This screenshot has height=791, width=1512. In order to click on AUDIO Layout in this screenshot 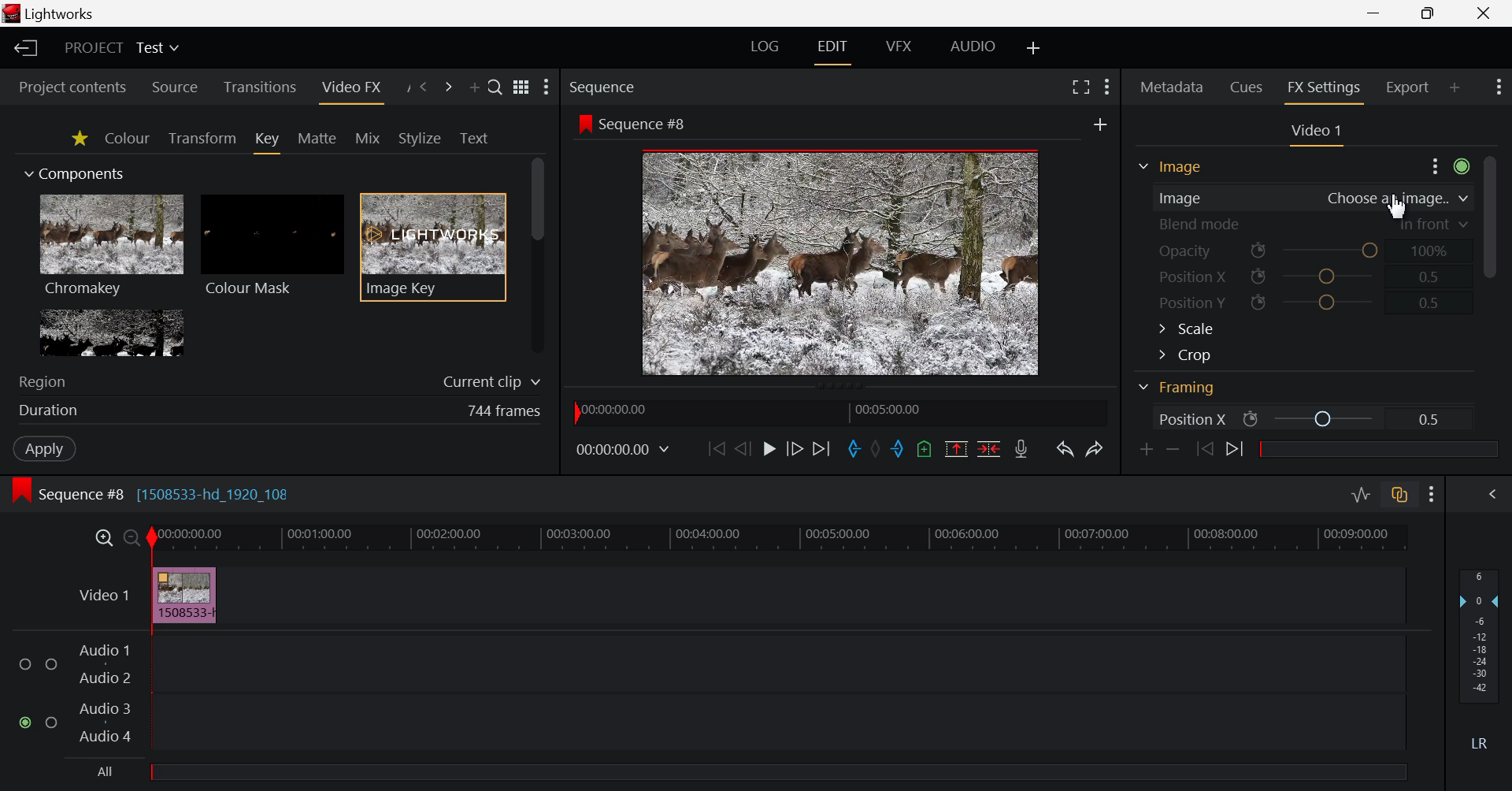, I will do `click(973, 45)`.